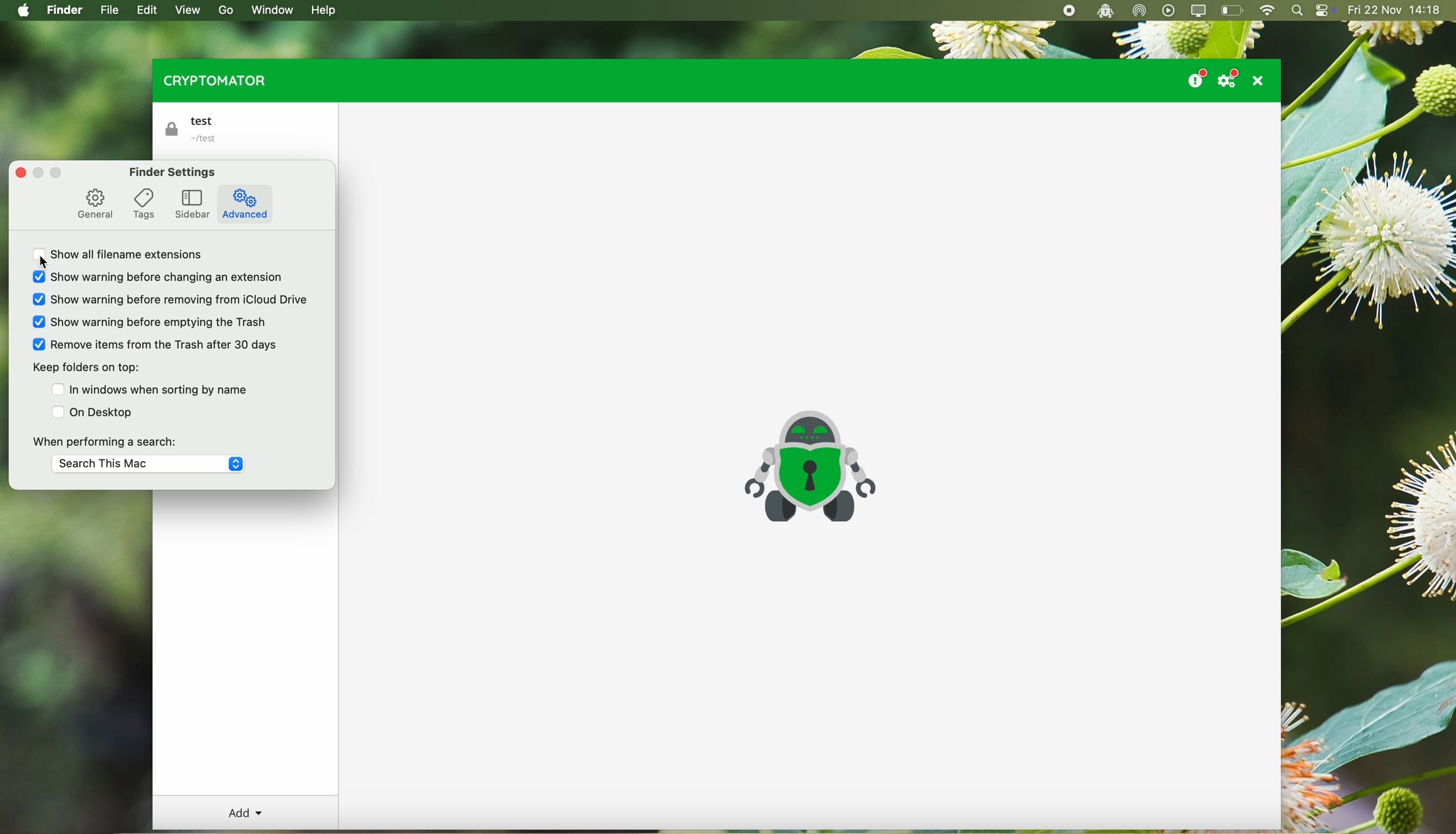 This screenshot has width=1456, height=834. What do you see at coordinates (1169, 10) in the screenshot?
I see `play` at bounding box center [1169, 10].